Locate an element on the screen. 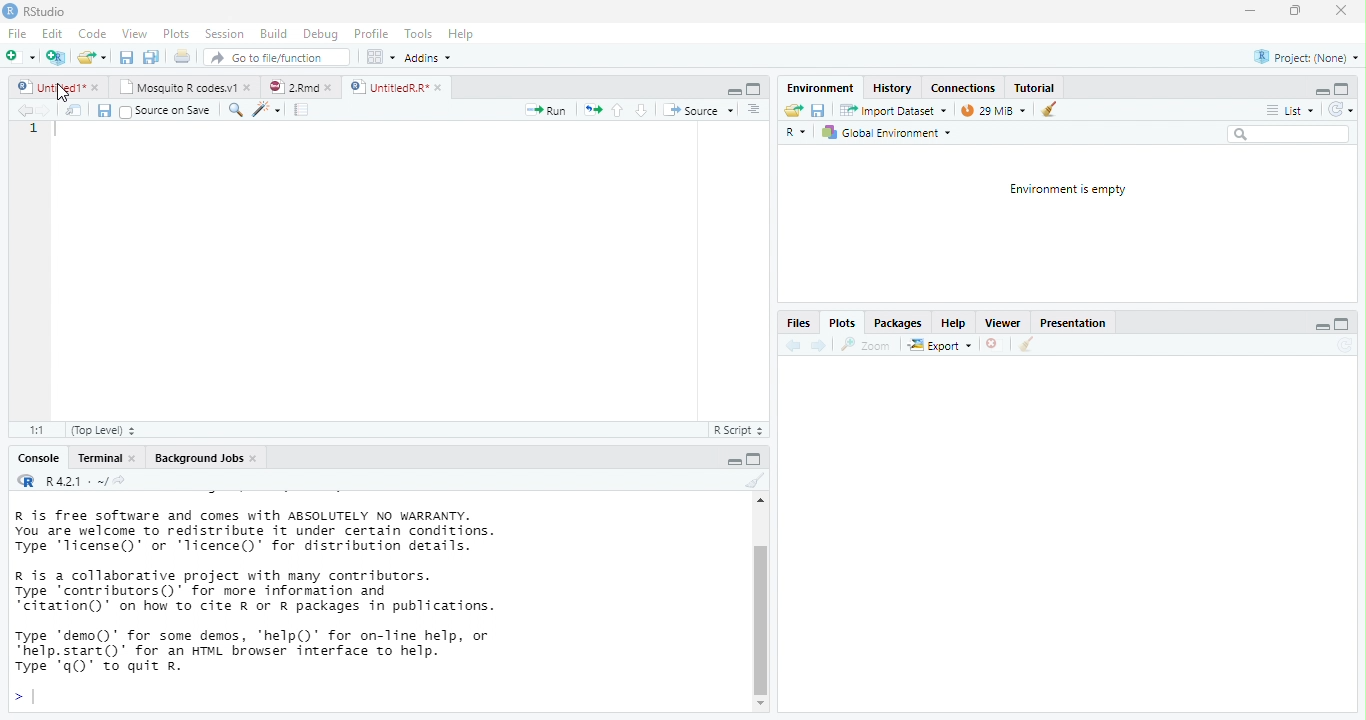  Tutorial is located at coordinates (1035, 87).